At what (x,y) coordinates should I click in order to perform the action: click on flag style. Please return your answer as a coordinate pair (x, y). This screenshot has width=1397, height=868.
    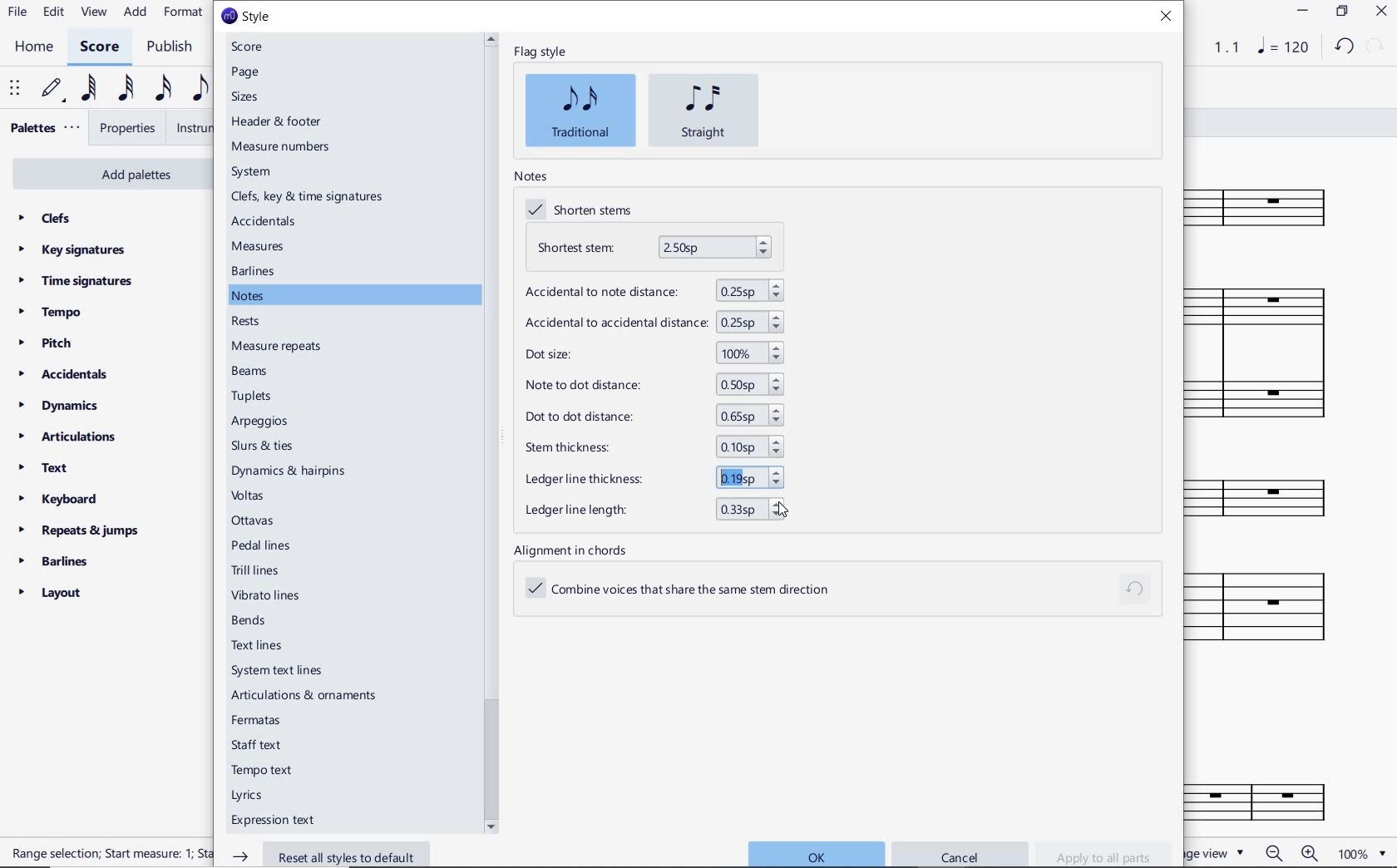
    Looking at the image, I should click on (540, 53).